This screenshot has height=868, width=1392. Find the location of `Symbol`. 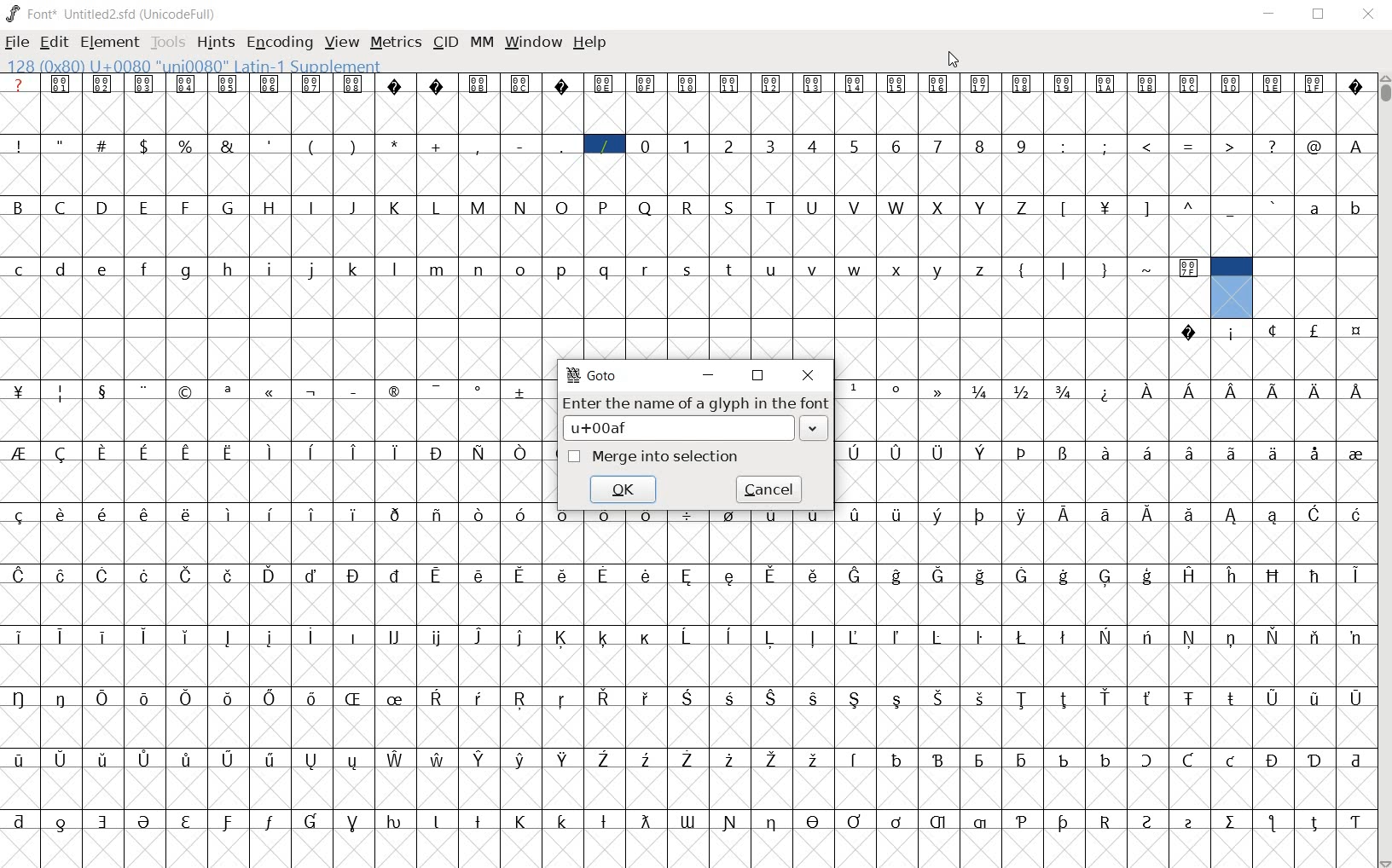

Symbol is located at coordinates (20, 819).